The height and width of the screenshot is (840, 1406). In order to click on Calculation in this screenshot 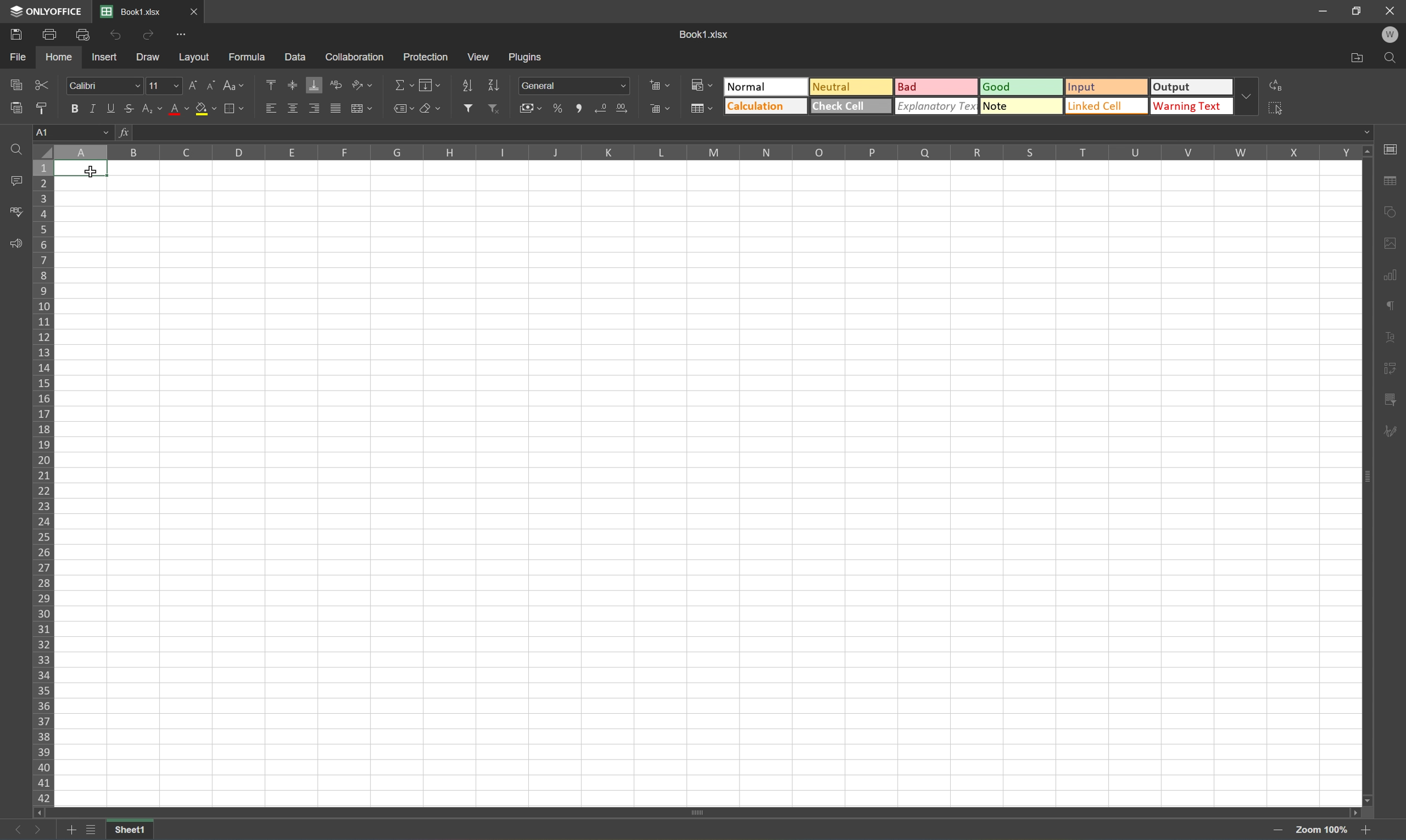, I will do `click(766, 106)`.